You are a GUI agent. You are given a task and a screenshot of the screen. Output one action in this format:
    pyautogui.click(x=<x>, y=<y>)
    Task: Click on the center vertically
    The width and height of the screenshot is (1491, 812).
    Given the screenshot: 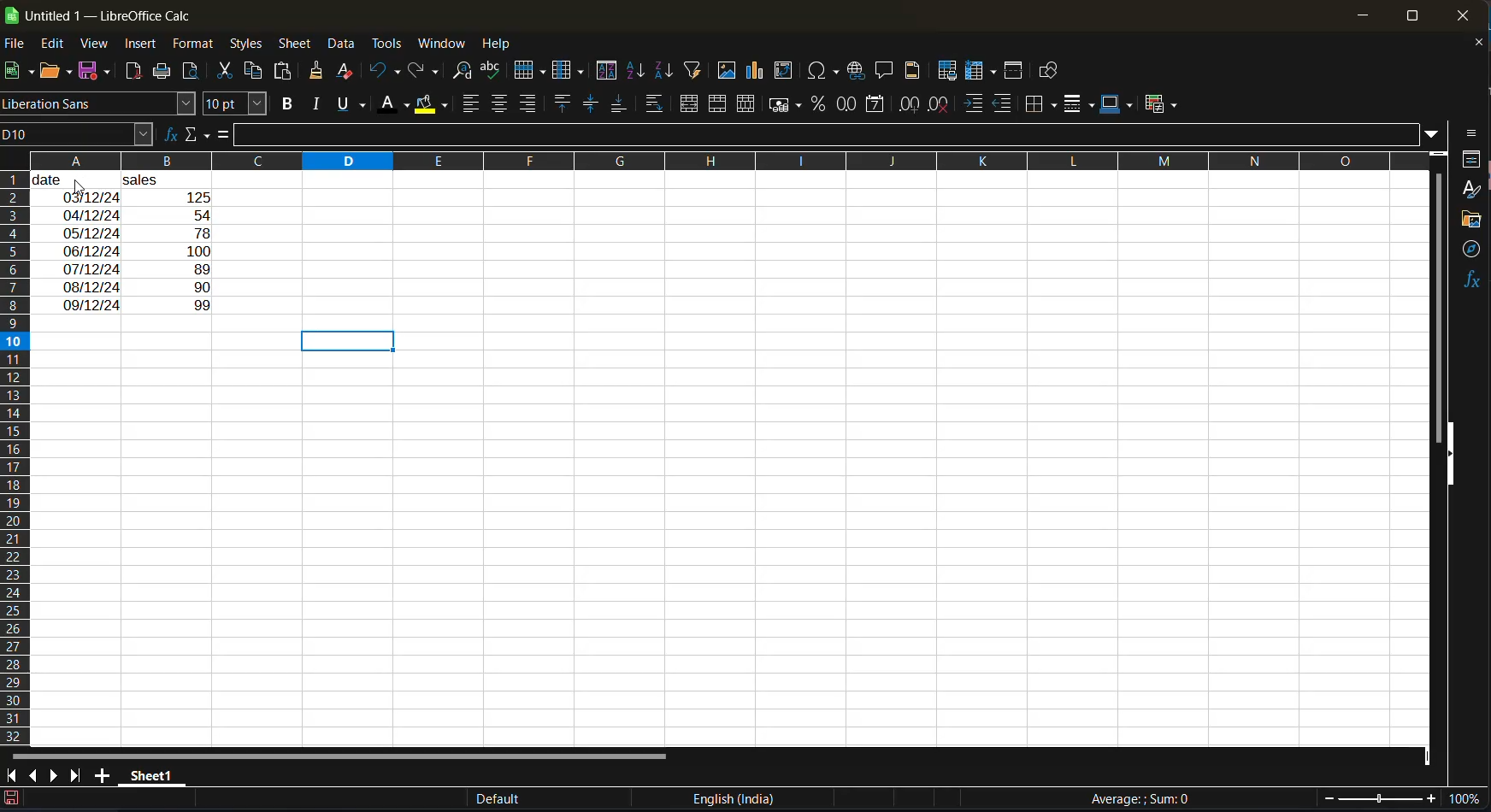 What is the action you would take?
    pyautogui.click(x=590, y=103)
    